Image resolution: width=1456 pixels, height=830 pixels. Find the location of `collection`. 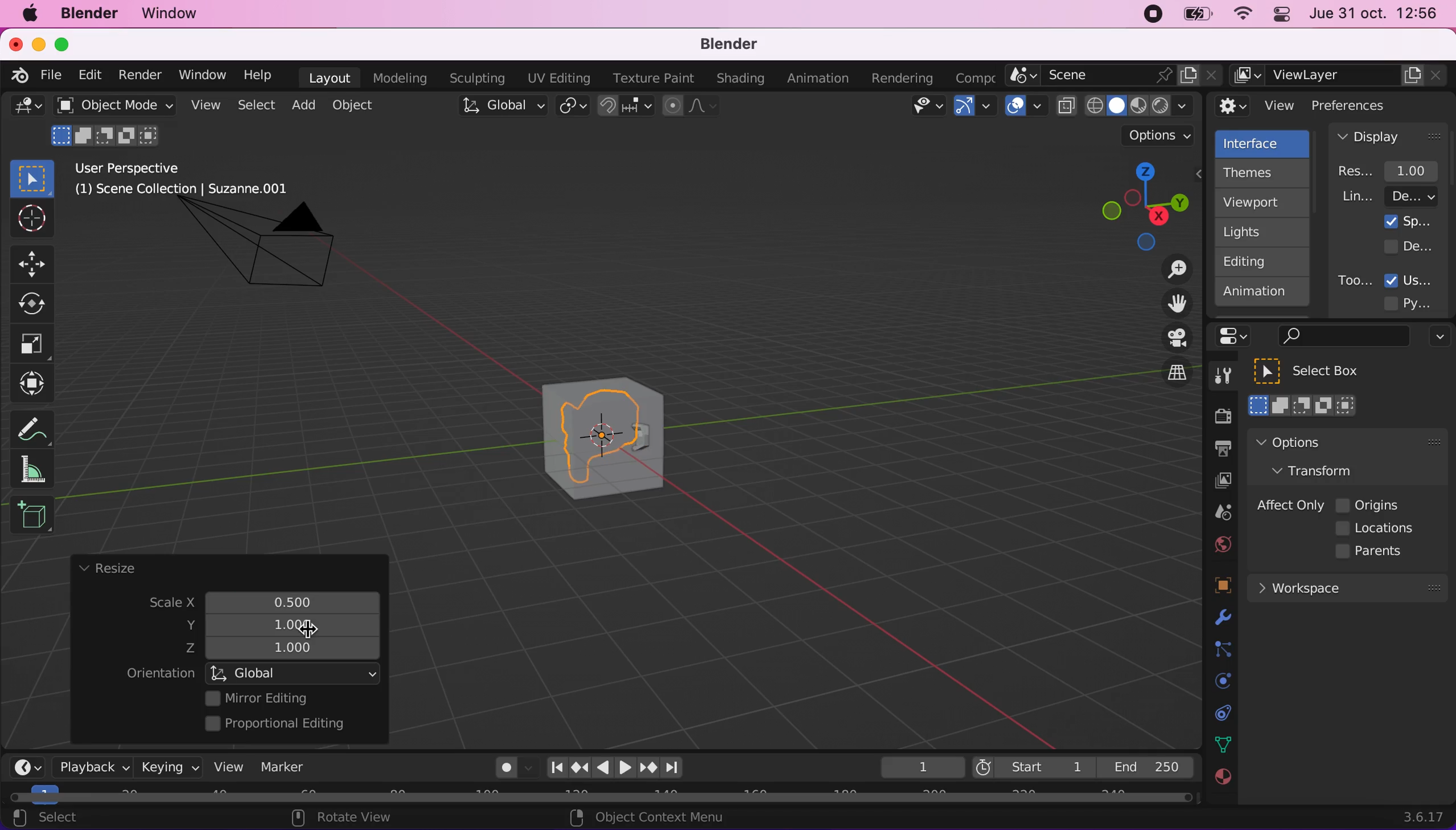

collection is located at coordinates (1220, 713).